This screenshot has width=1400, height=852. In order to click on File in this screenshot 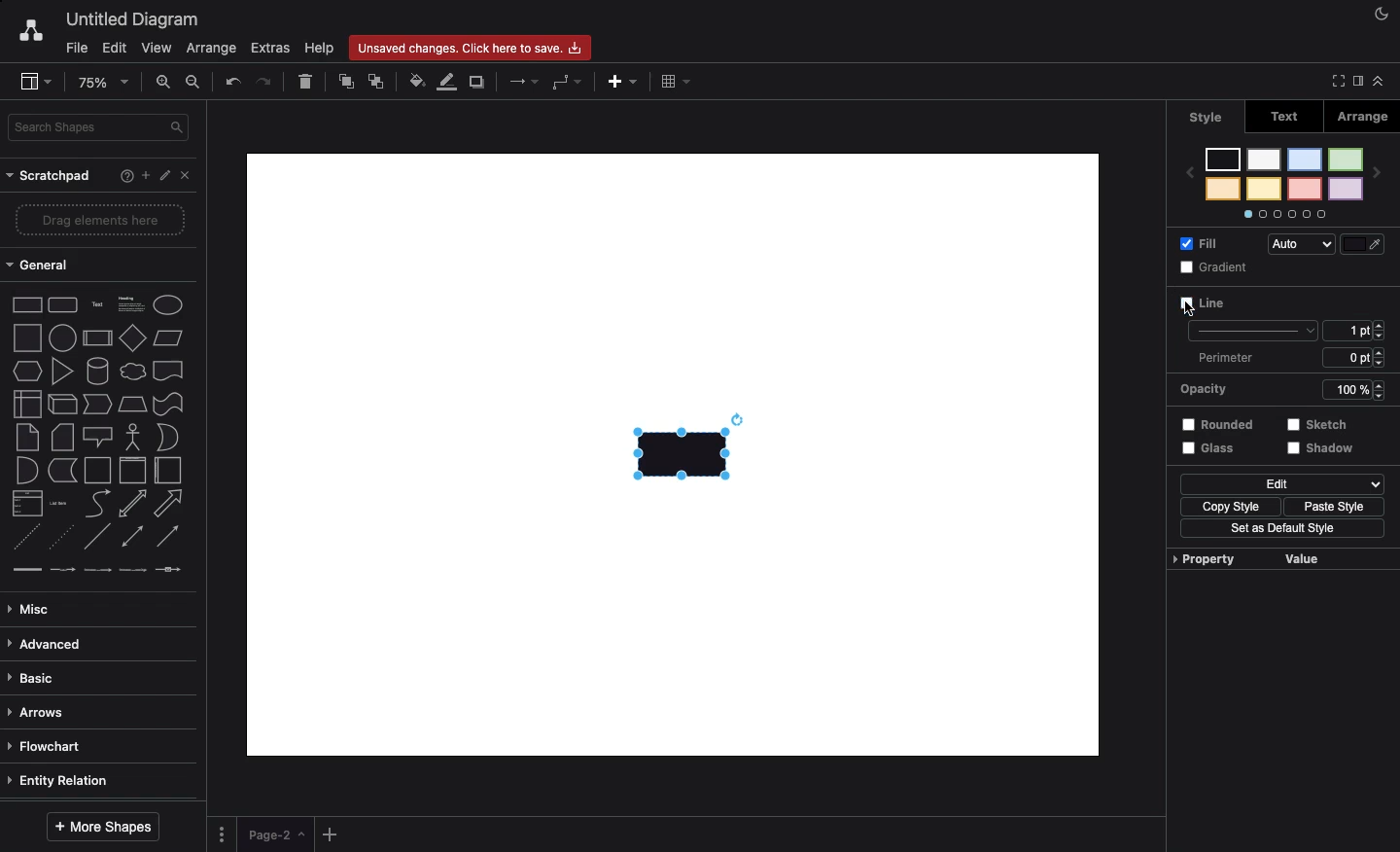, I will do `click(74, 48)`.